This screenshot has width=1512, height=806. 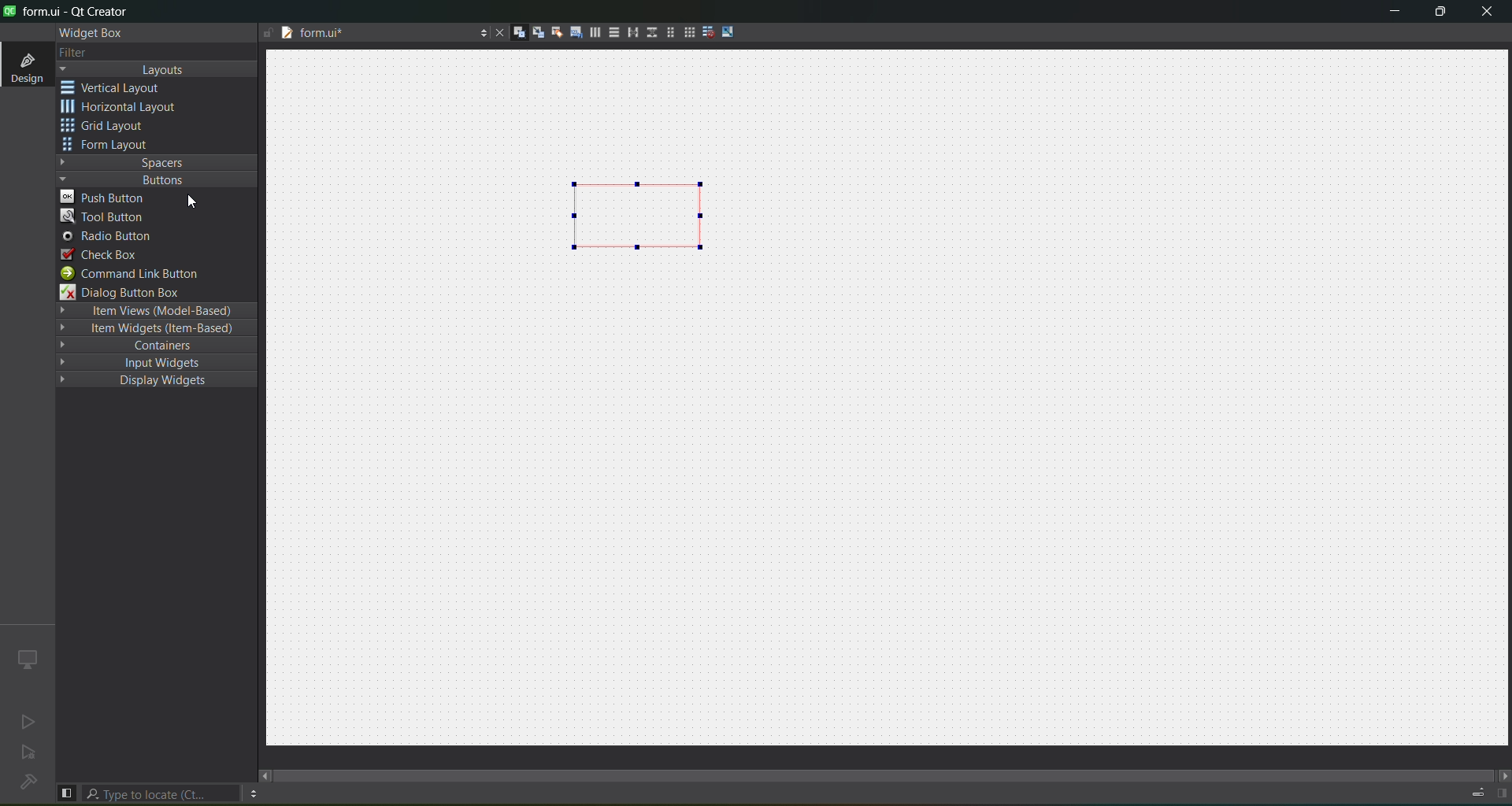 What do you see at coordinates (1389, 13) in the screenshot?
I see `minimize` at bounding box center [1389, 13].